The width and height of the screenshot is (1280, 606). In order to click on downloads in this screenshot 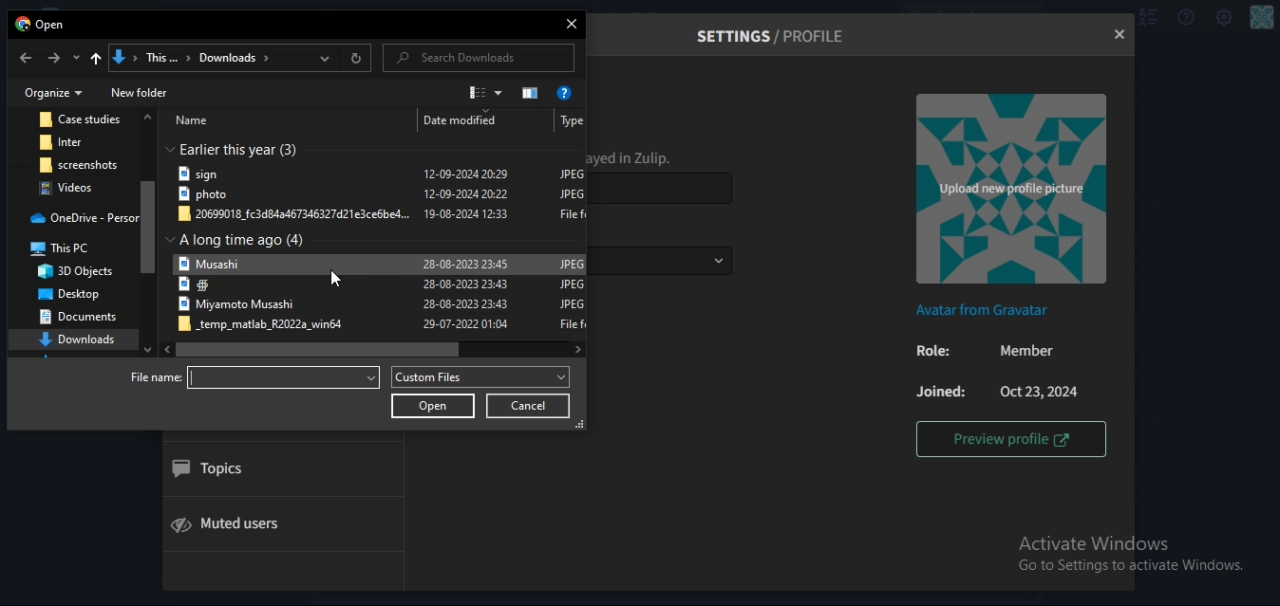, I will do `click(79, 340)`.